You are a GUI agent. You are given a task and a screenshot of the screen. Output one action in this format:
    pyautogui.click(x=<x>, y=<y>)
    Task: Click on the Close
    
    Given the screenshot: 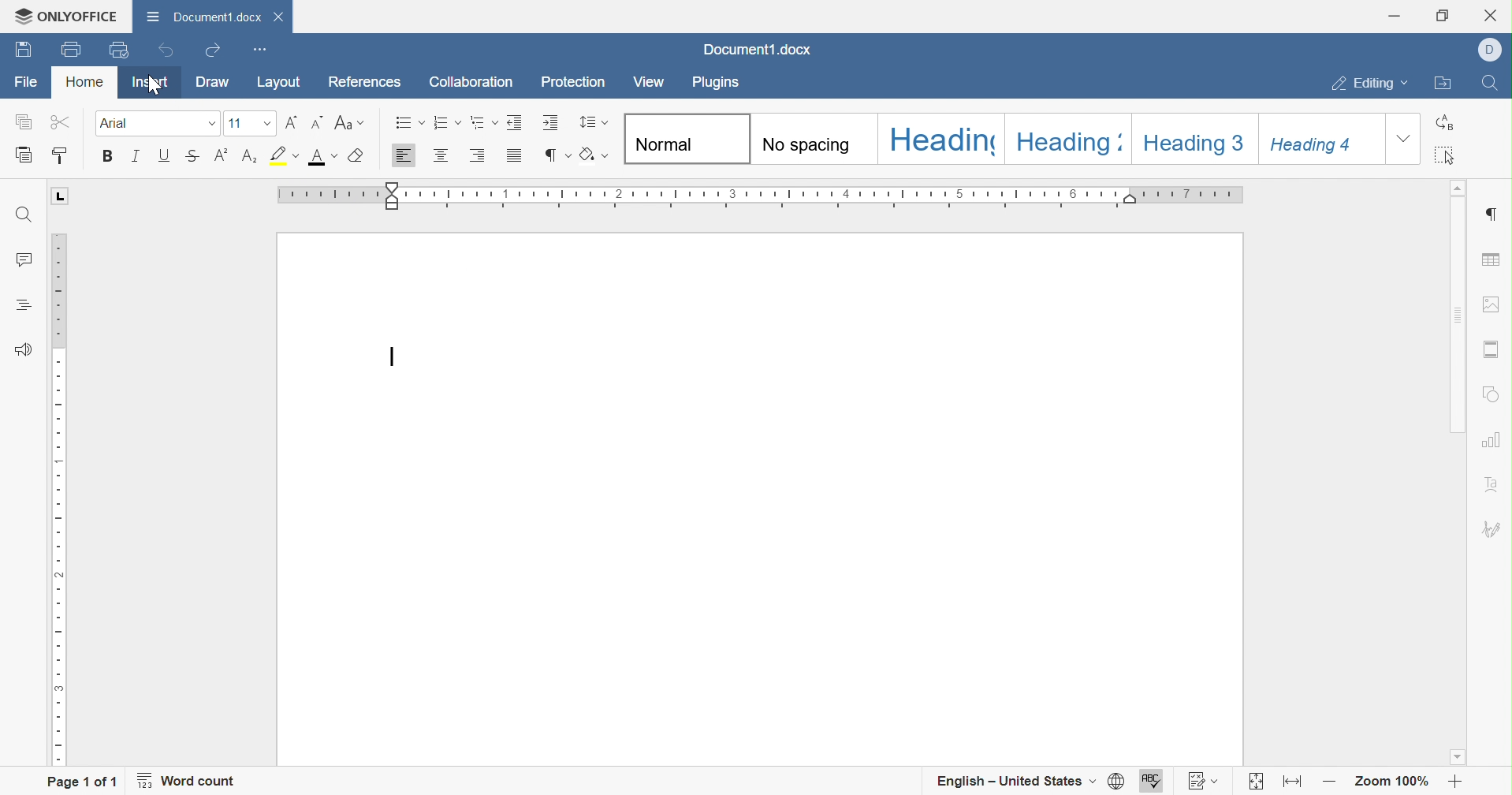 What is the action you would take?
    pyautogui.click(x=1496, y=15)
    